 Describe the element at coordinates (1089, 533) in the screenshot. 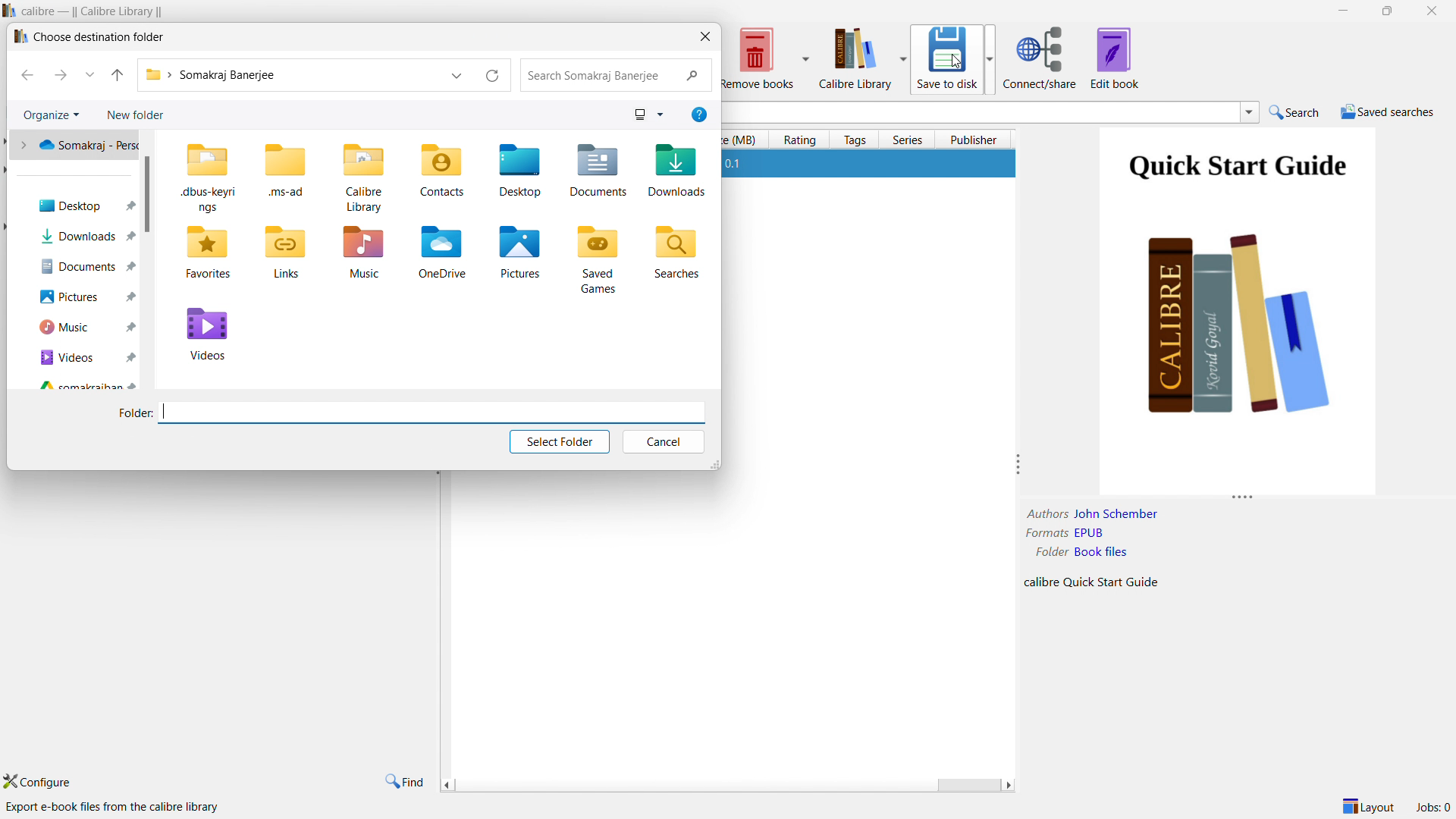

I see `EPUB` at that location.